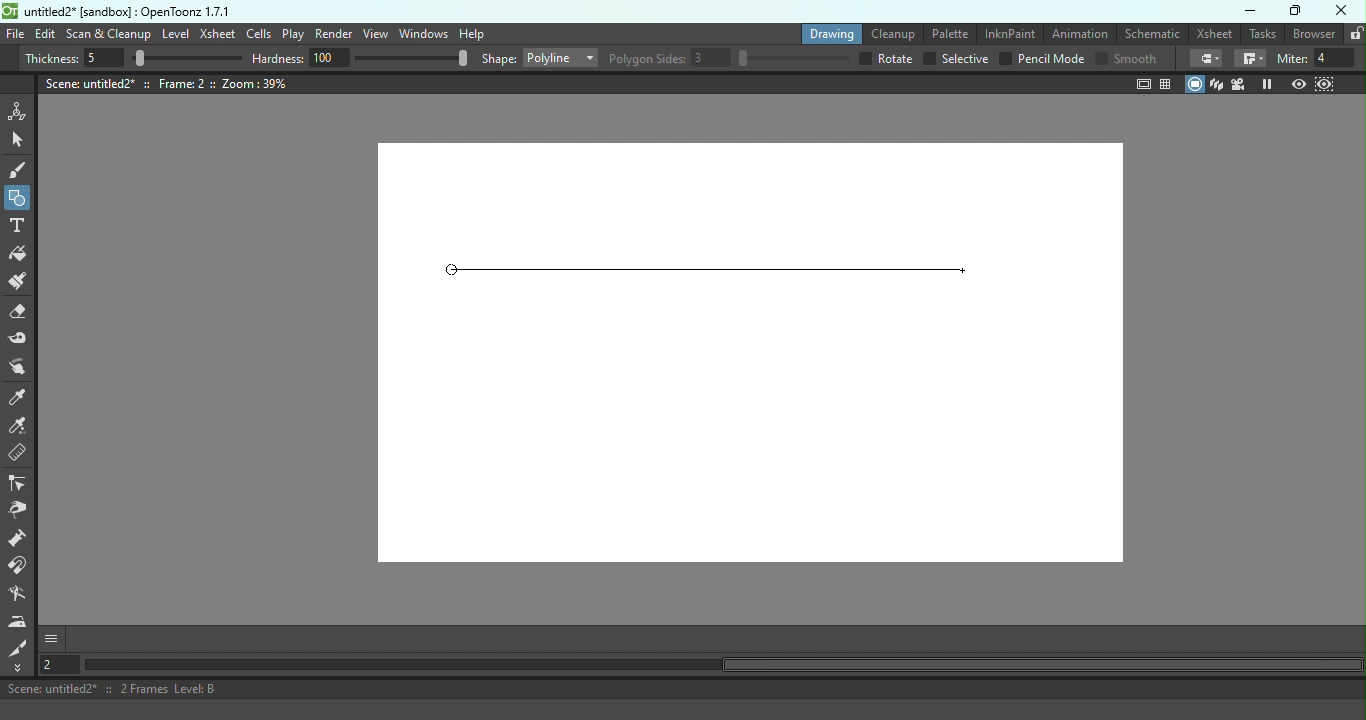 The image size is (1366, 720). What do you see at coordinates (374, 33) in the screenshot?
I see `View` at bounding box center [374, 33].